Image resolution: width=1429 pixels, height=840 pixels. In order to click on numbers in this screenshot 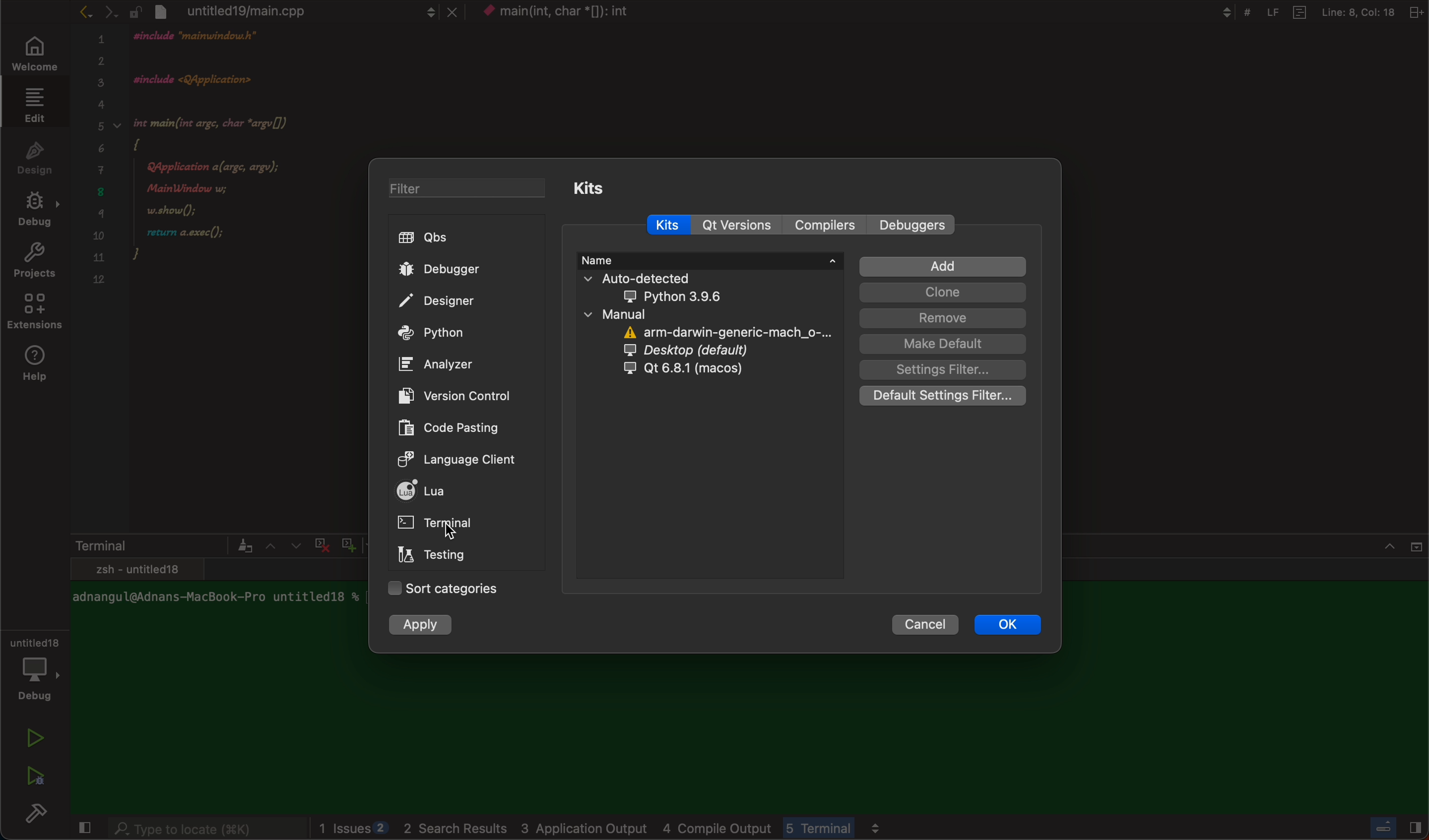, I will do `click(100, 166)`.